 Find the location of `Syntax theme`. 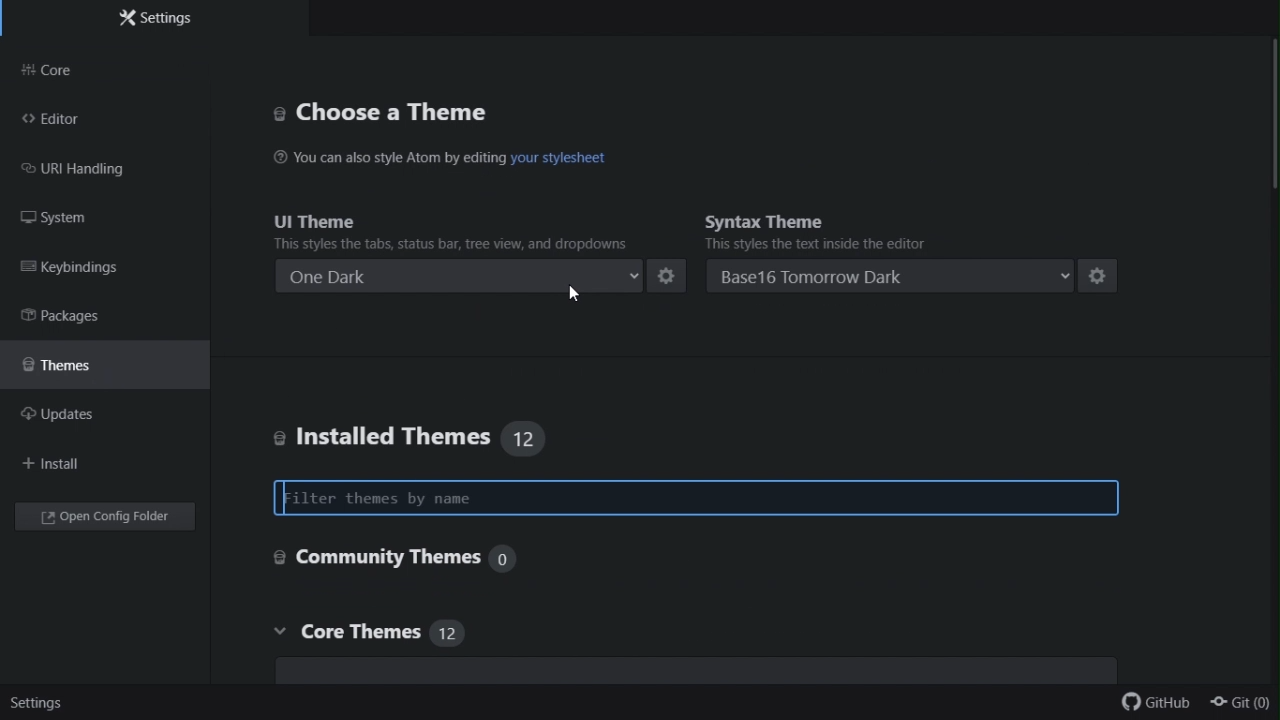

Syntax theme is located at coordinates (885, 216).